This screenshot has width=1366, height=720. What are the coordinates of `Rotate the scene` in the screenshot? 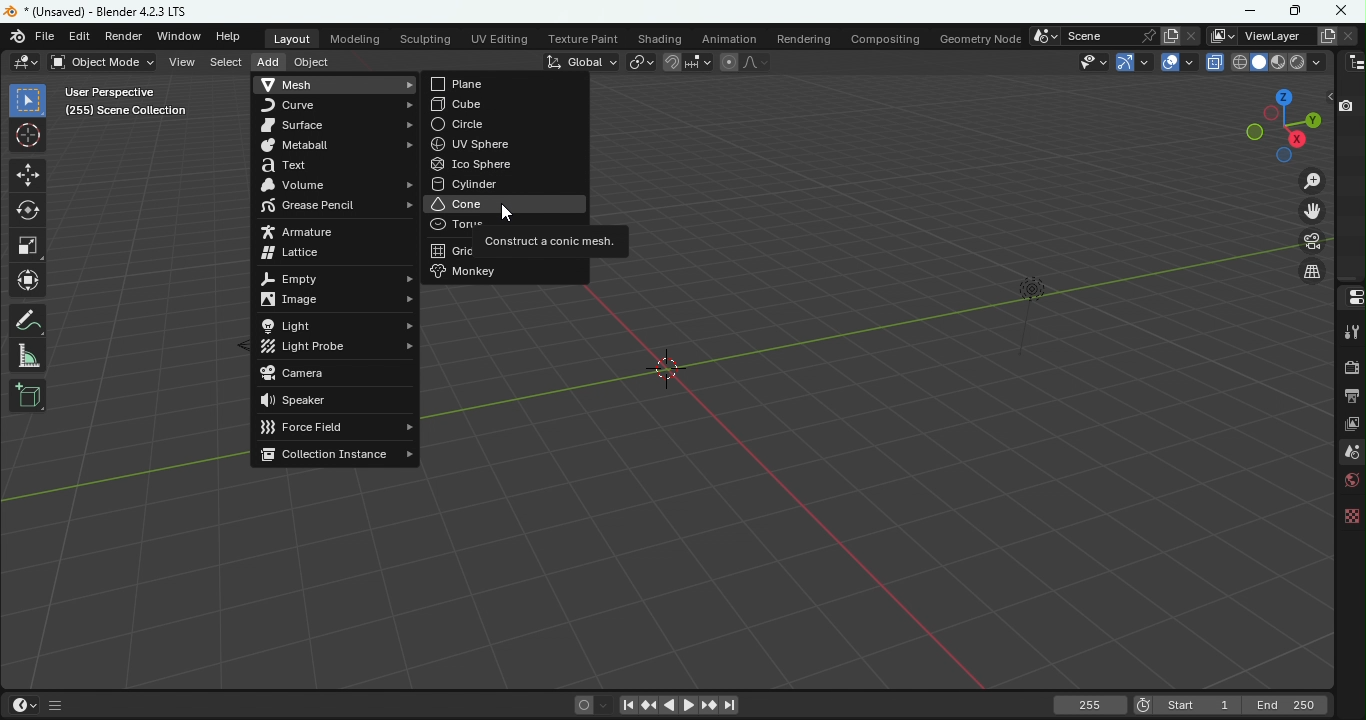 It's located at (1273, 114).